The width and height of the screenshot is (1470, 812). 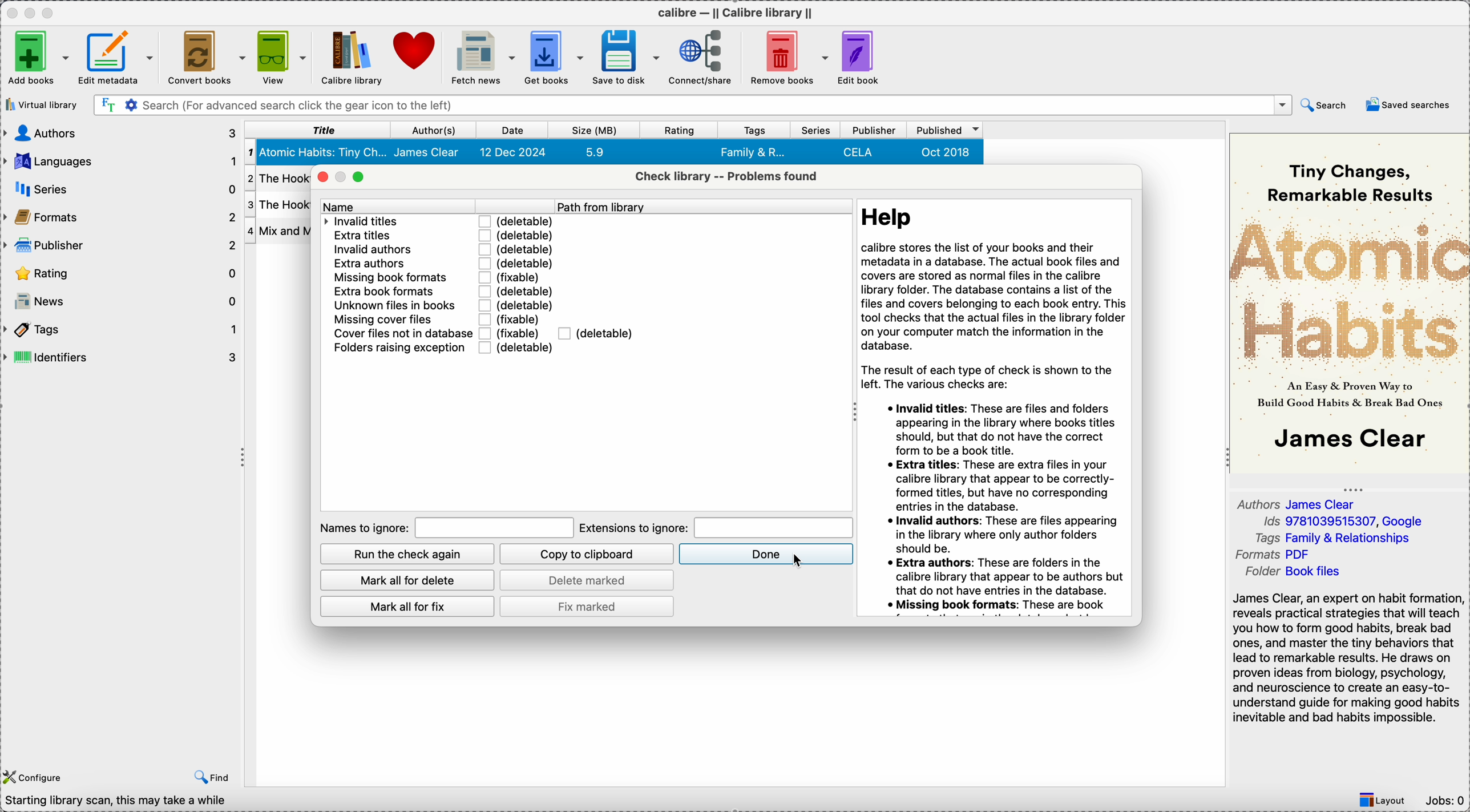 I want to click on size, so click(x=597, y=130).